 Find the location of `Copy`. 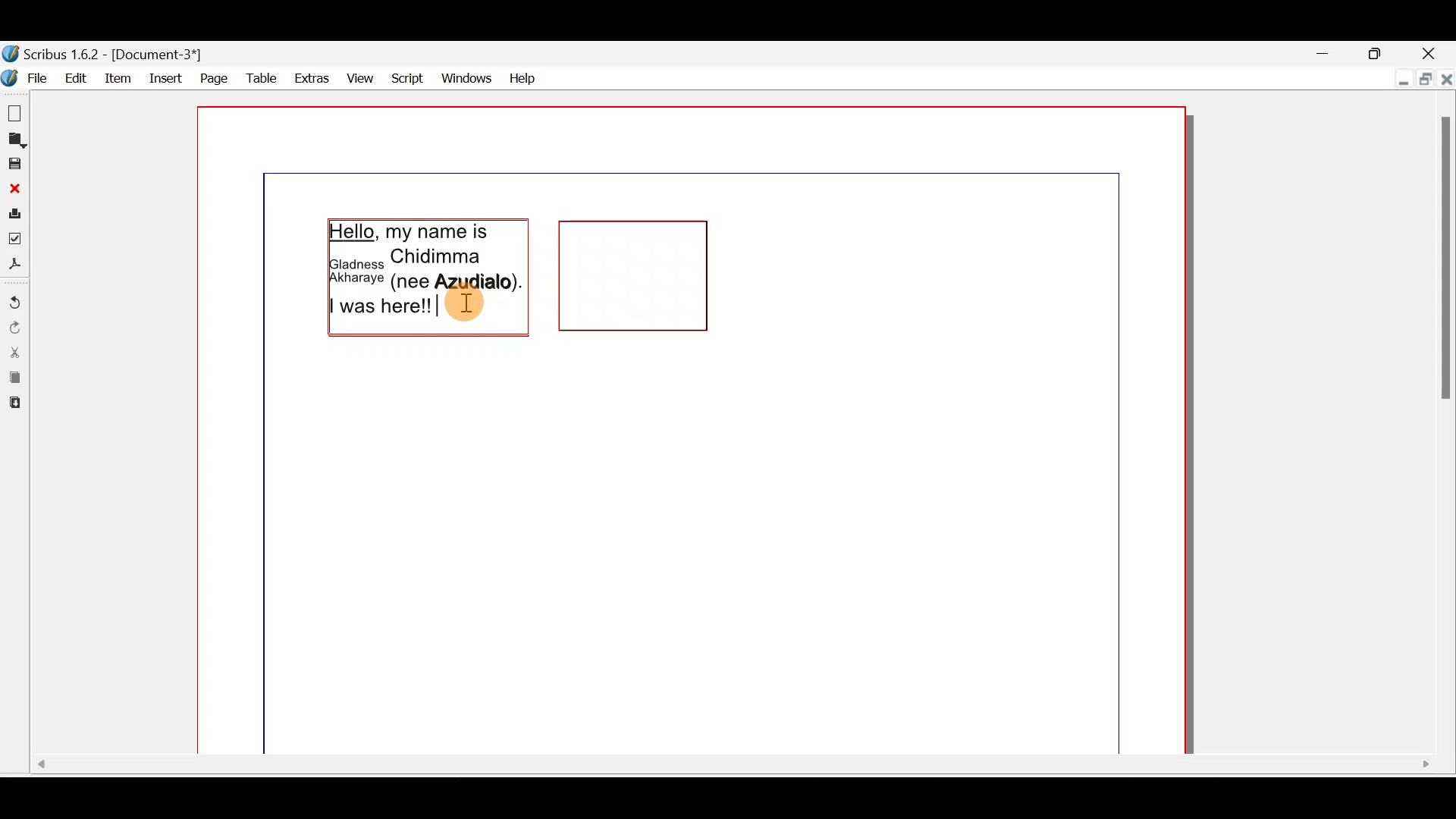

Copy is located at coordinates (14, 378).